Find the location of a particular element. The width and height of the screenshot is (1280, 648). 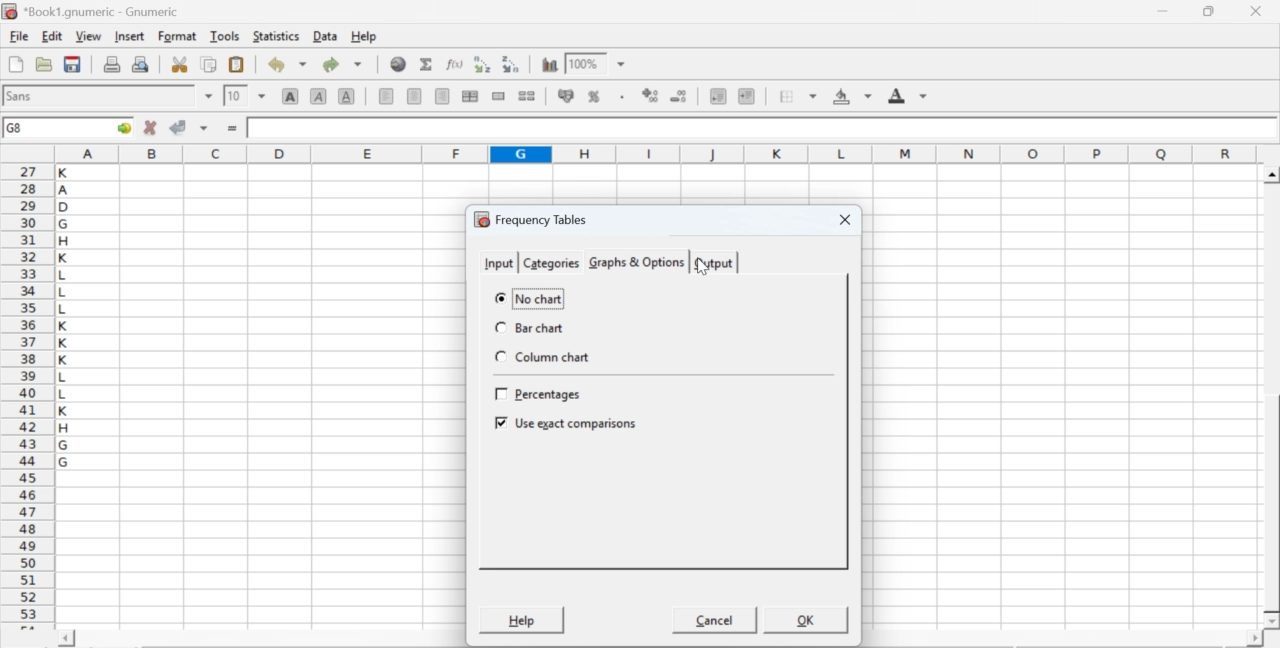

foreground is located at coordinates (908, 95).